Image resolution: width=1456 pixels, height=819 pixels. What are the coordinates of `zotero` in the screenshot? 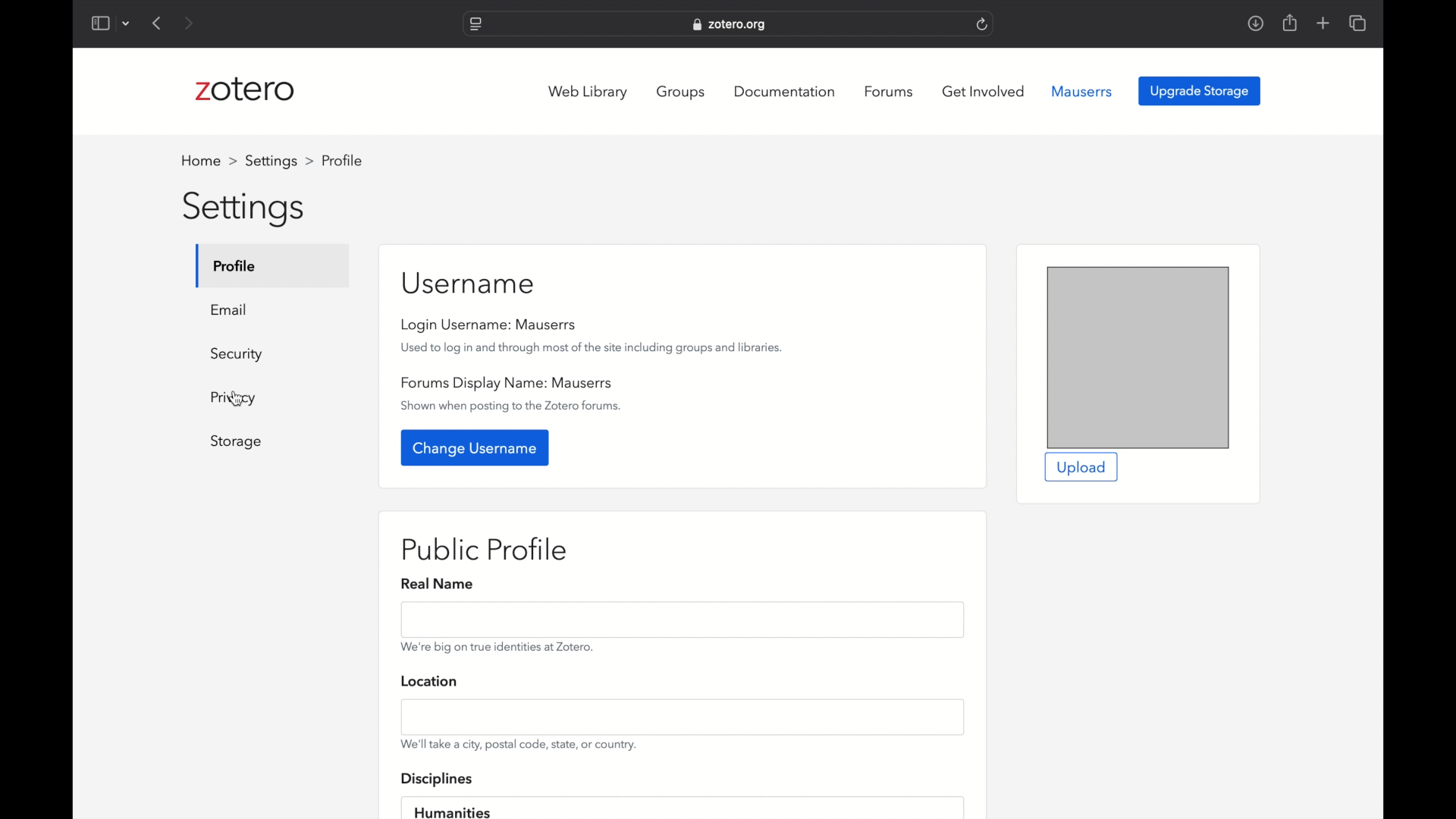 It's located at (245, 89).